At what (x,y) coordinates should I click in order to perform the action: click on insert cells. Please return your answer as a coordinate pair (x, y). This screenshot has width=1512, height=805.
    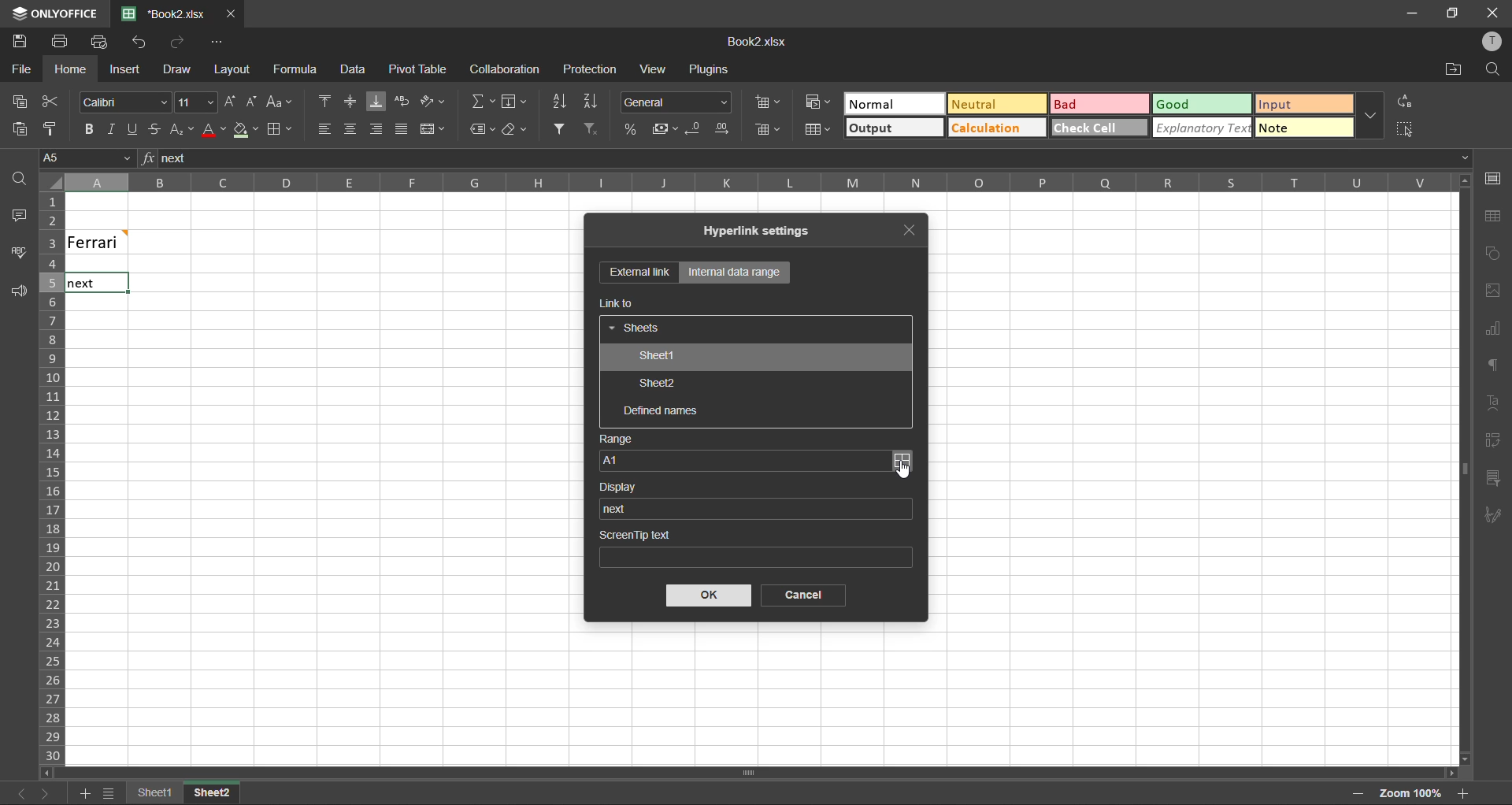
    Looking at the image, I should click on (768, 103).